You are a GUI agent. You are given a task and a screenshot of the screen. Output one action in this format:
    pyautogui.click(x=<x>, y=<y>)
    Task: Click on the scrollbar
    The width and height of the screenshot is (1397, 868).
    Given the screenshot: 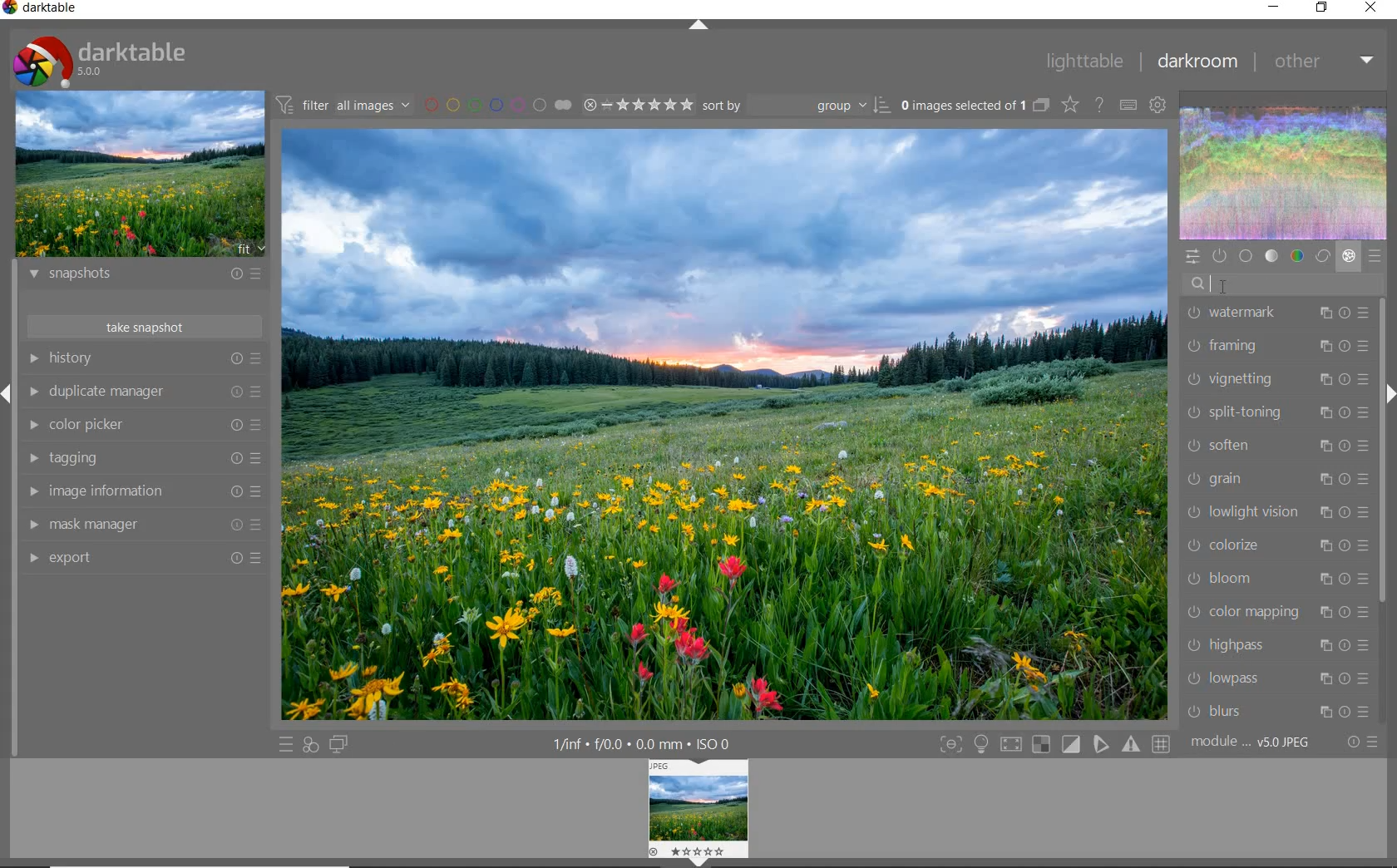 What is the action you would take?
    pyautogui.click(x=1383, y=452)
    